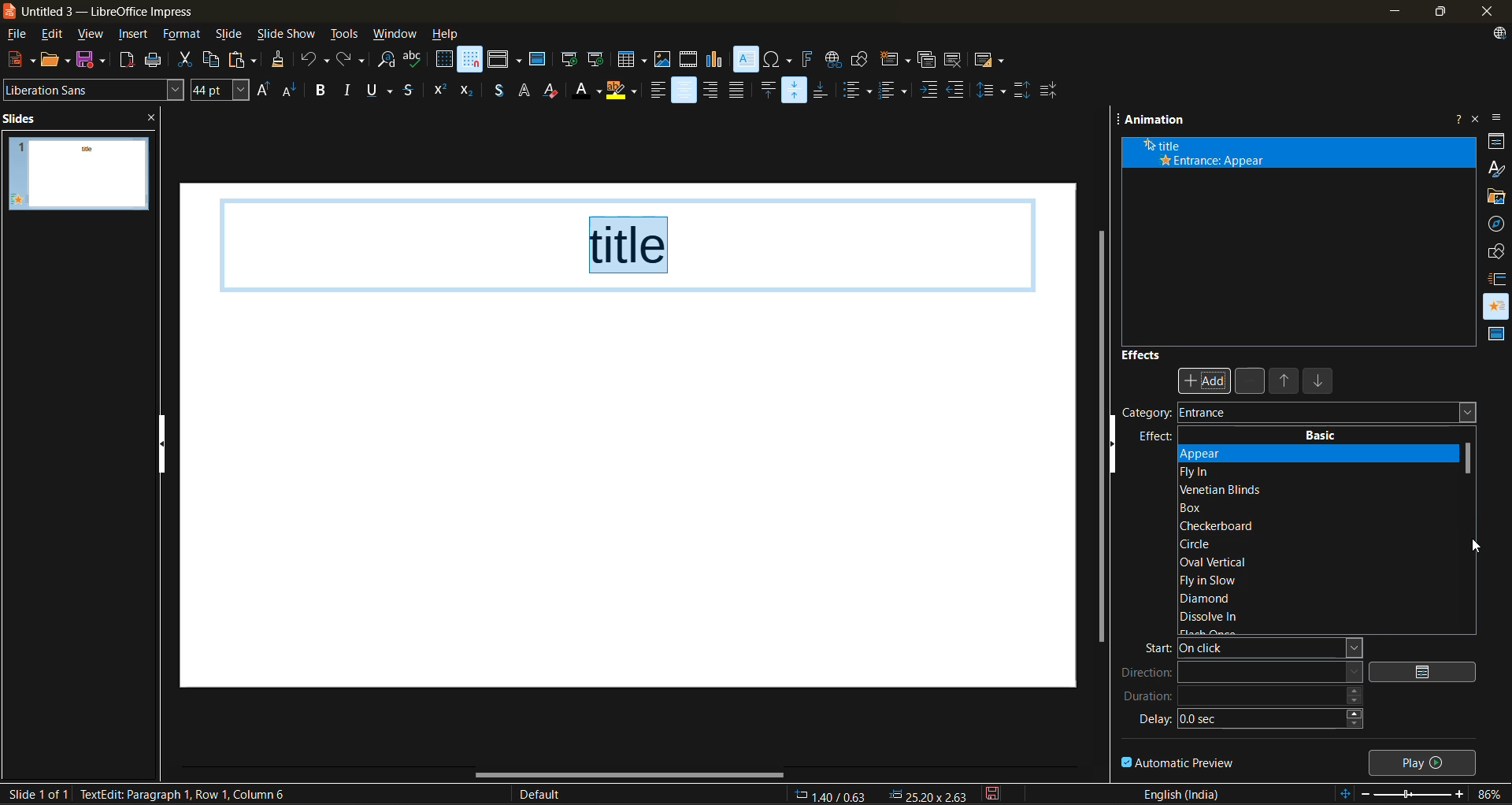 The image size is (1512, 805). Describe the element at coordinates (1347, 795) in the screenshot. I see `fit to slide` at that location.